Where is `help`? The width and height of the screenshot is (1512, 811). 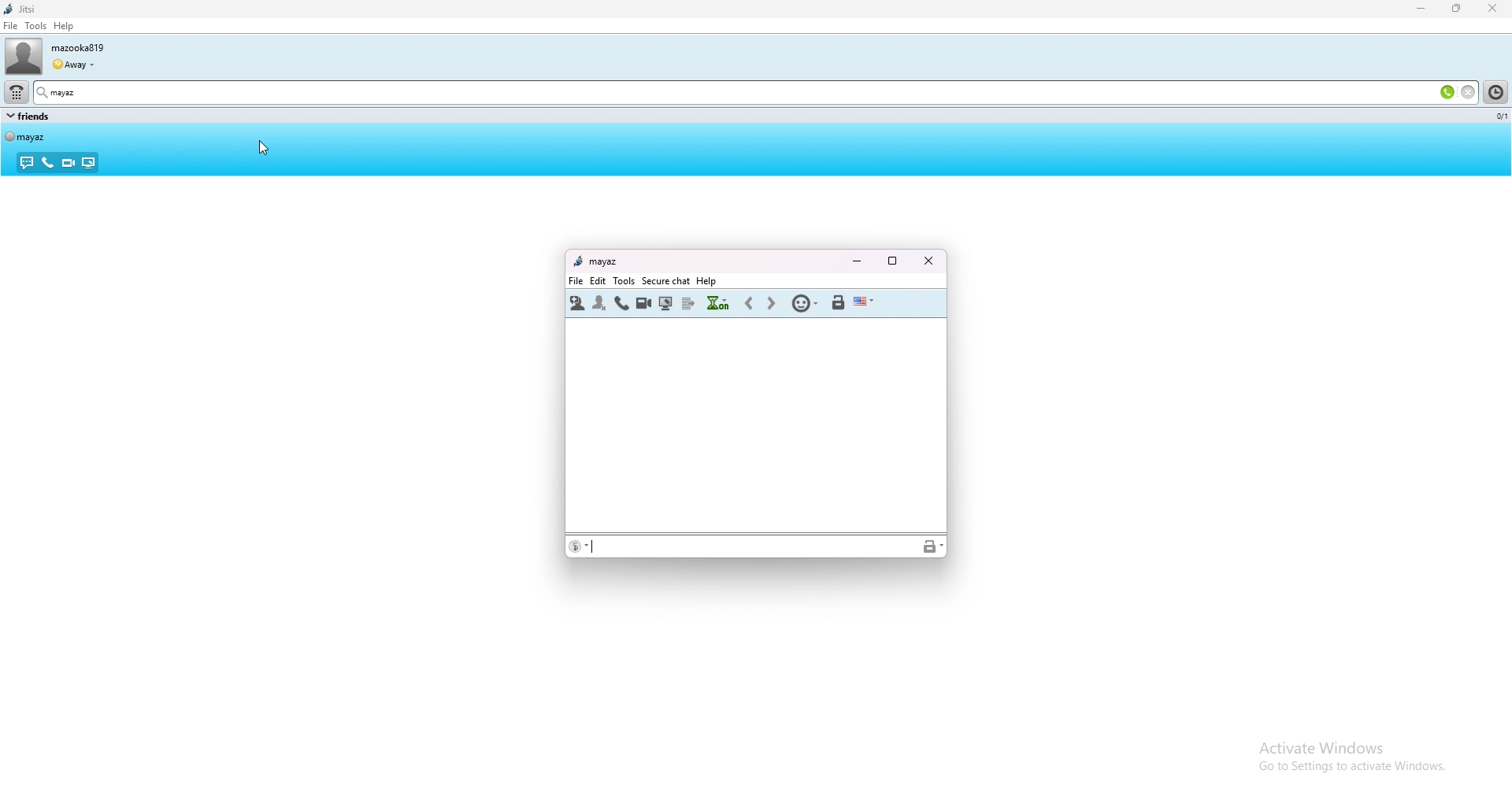
help is located at coordinates (64, 26).